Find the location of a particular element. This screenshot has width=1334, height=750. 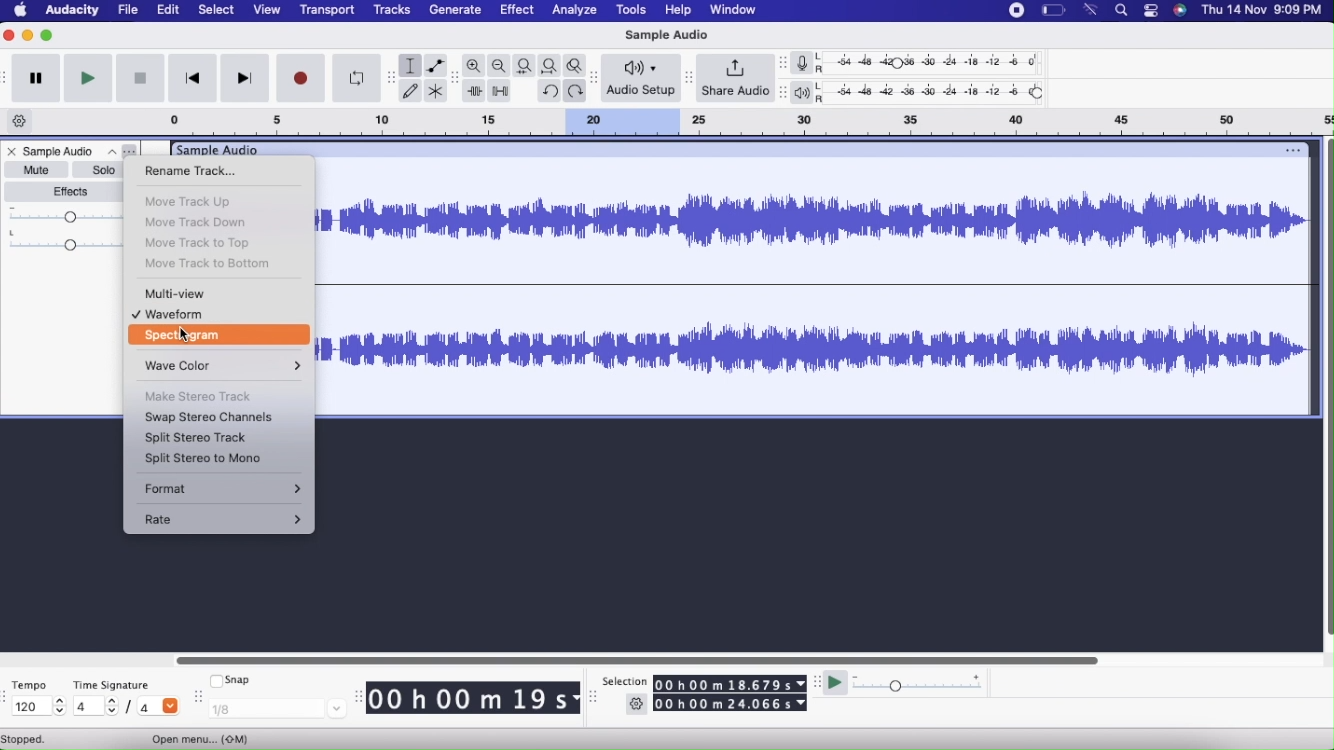

Options is located at coordinates (121, 150).